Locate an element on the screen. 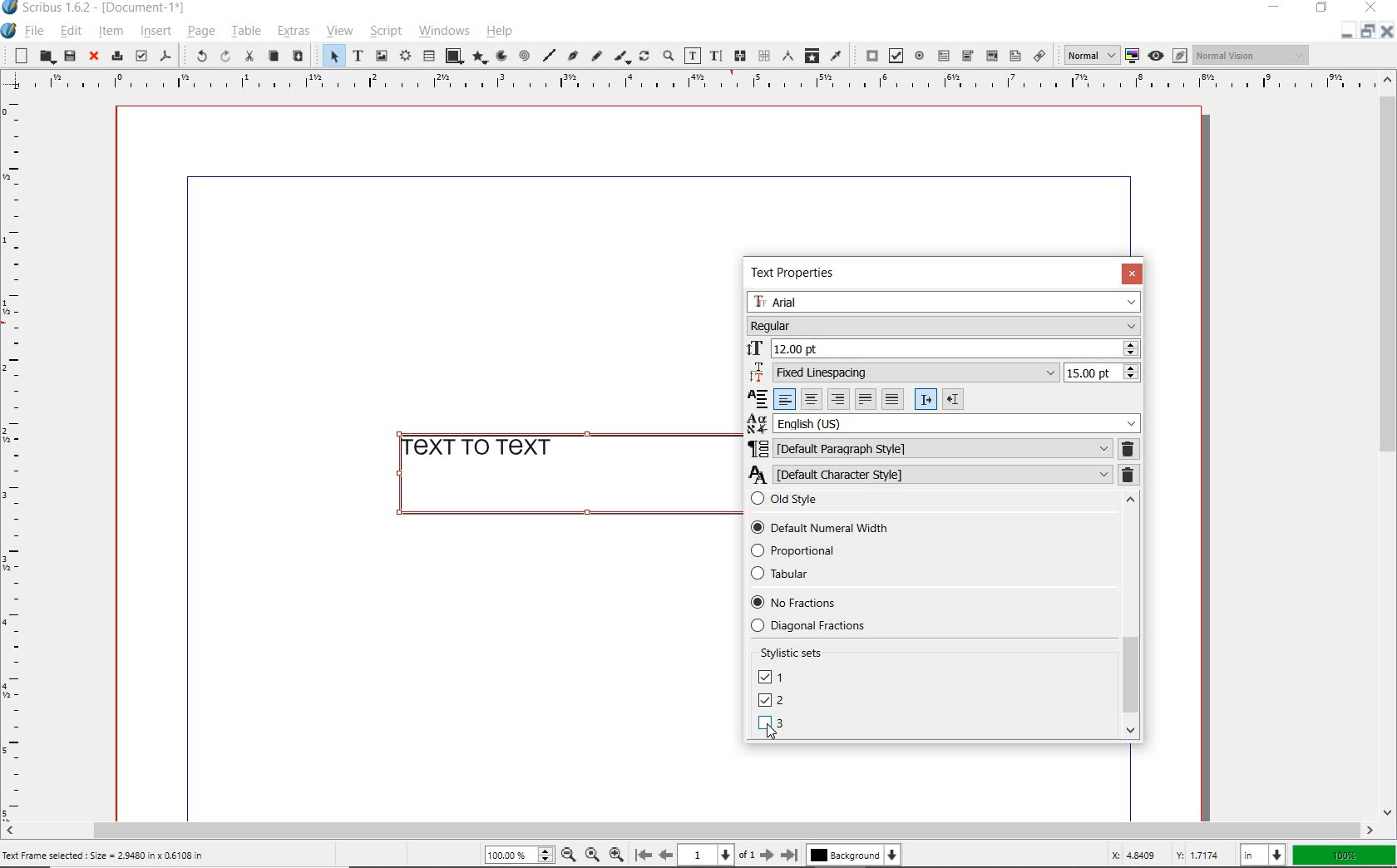 The width and height of the screenshot is (1397, 868). zoom in or zoom out is located at coordinates (668, 57).